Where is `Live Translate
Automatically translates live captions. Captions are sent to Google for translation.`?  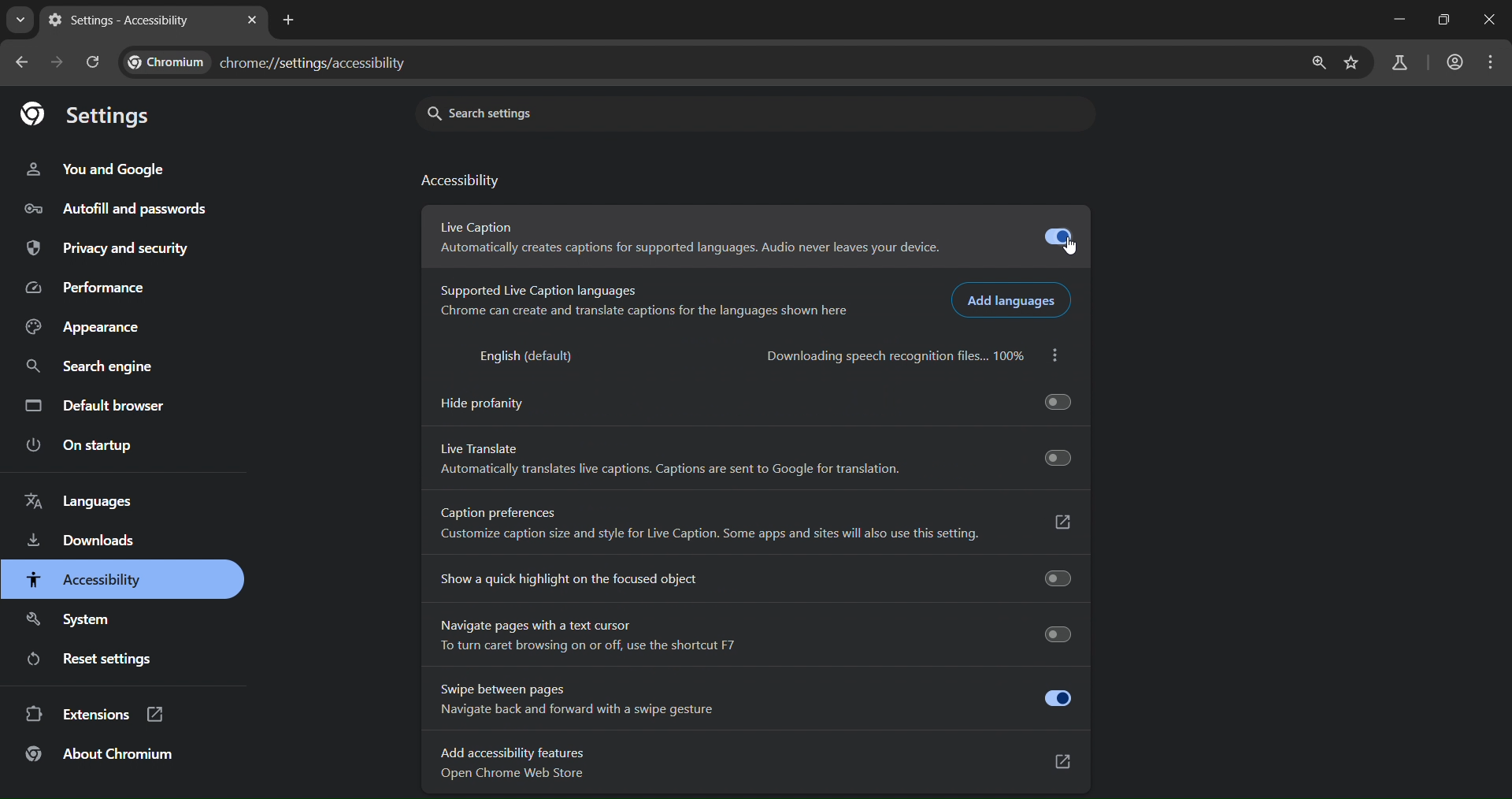
Live Translate
Automatically translates live captions. Captions are sent to Google for translation. is located at coordinates (756, 456).